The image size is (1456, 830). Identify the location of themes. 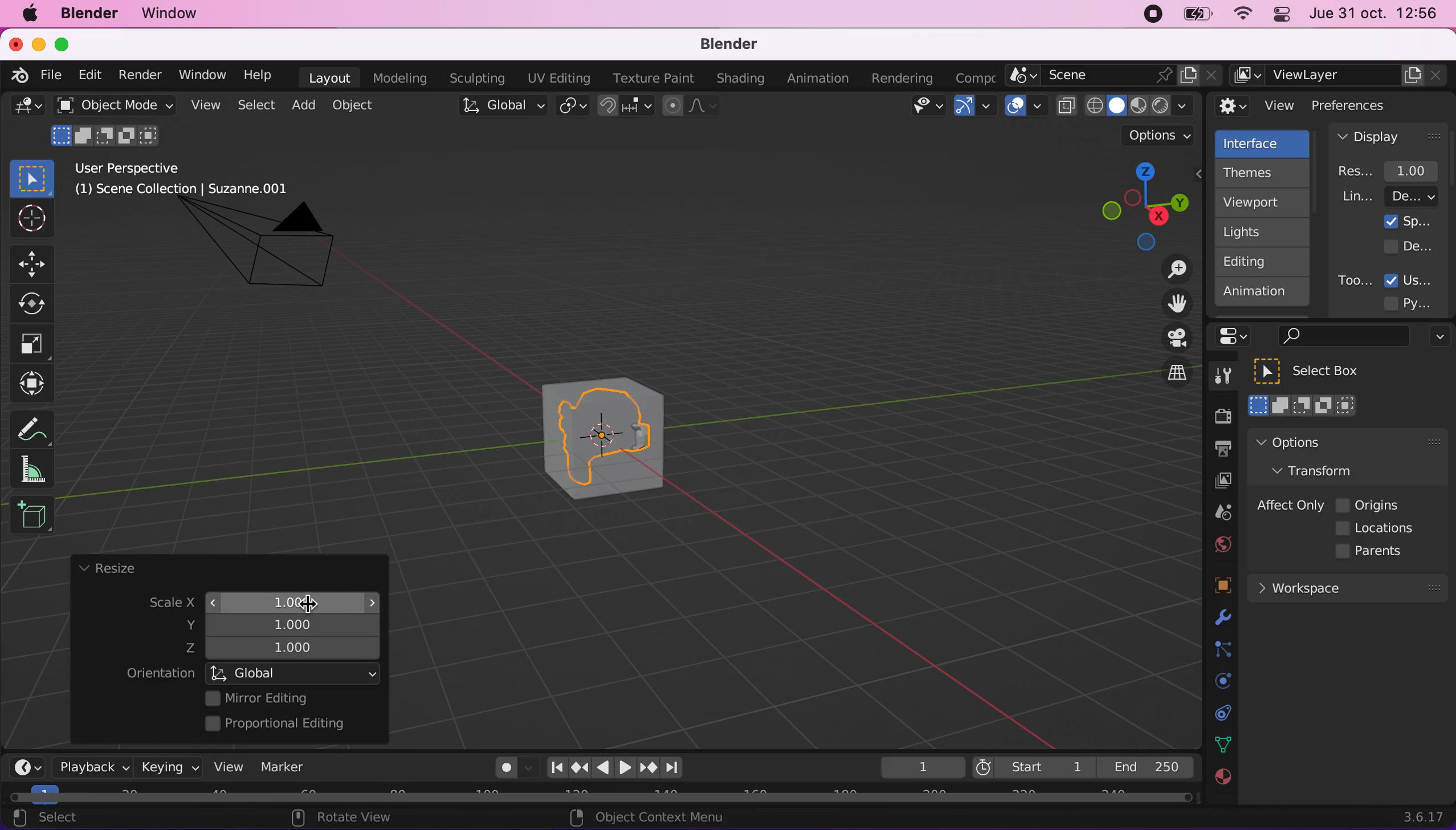
(1261, 173).